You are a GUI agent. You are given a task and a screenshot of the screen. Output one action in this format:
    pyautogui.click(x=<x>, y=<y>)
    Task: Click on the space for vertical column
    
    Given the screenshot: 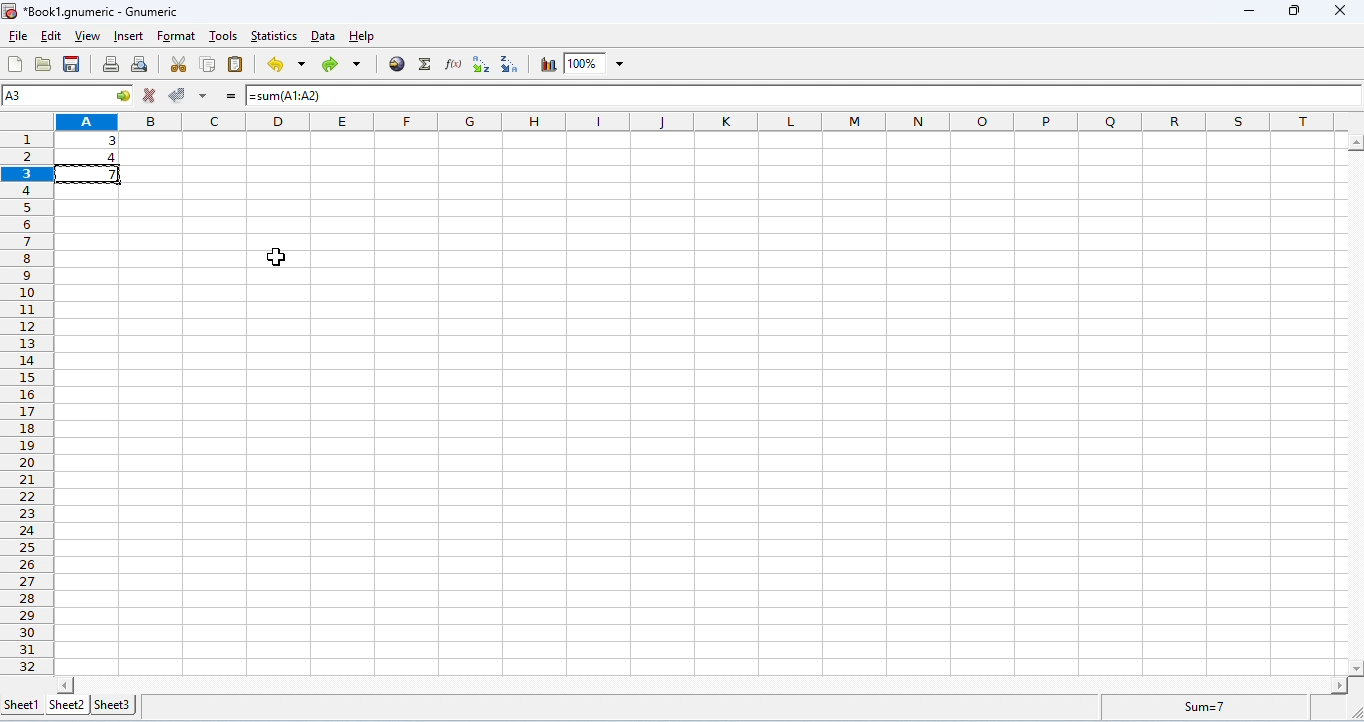 What is the action you would take?
    pyautogui.click(x=1352, y=404)
    